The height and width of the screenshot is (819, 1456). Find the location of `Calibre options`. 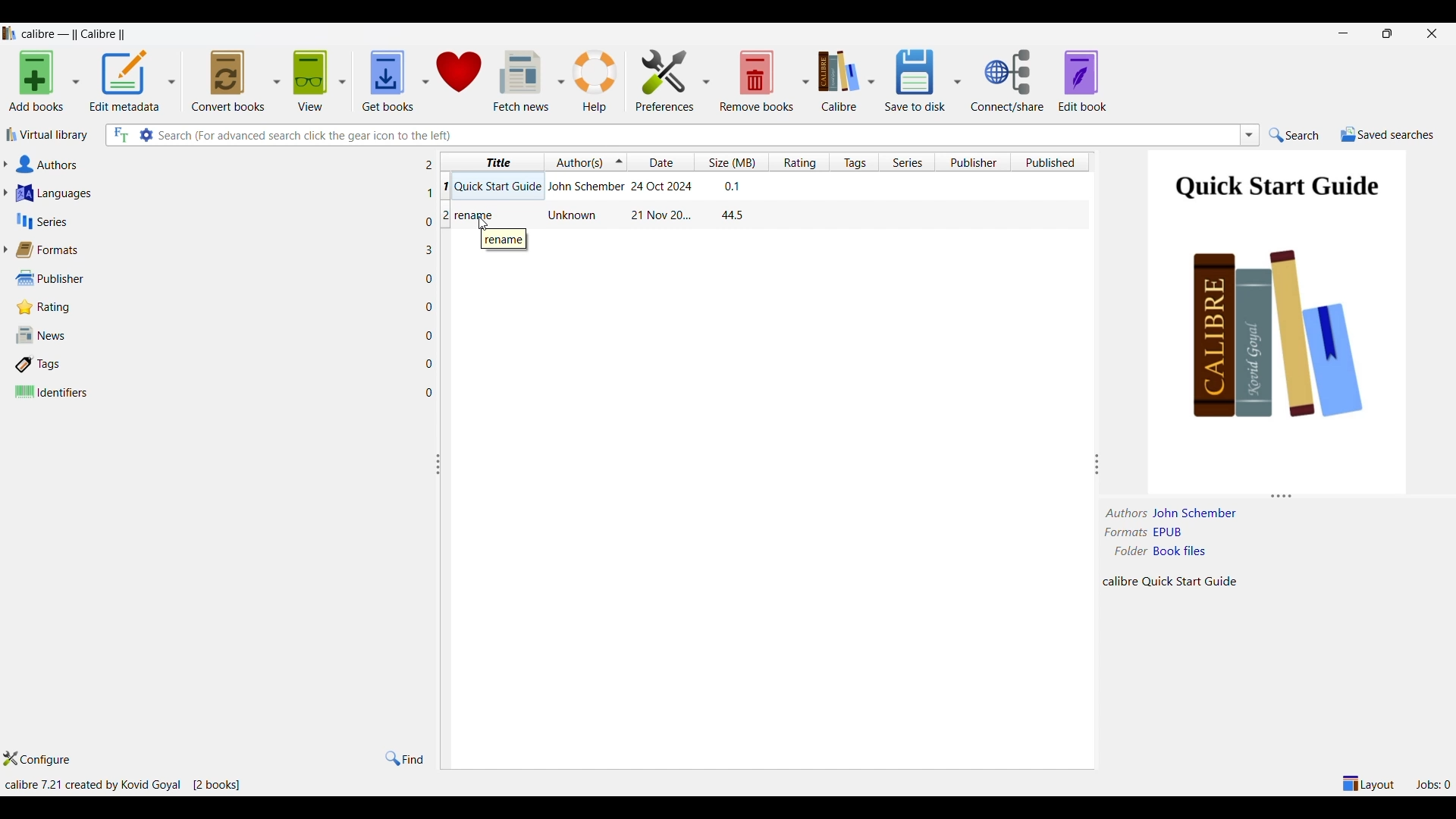

Calibre options is located at coordinates (871, 81).